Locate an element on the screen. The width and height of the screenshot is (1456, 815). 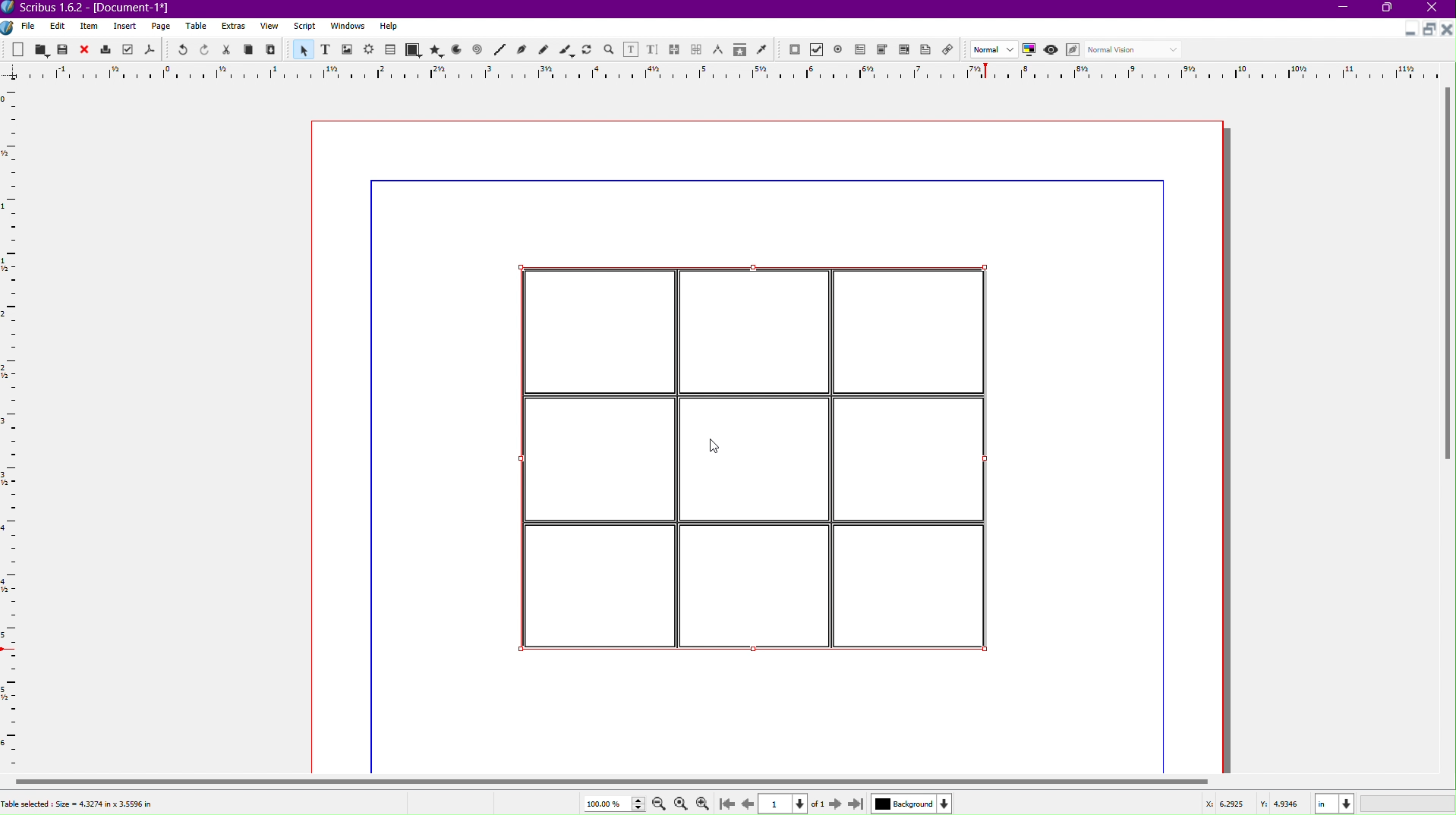
Table is located at coordinates (389, 50).